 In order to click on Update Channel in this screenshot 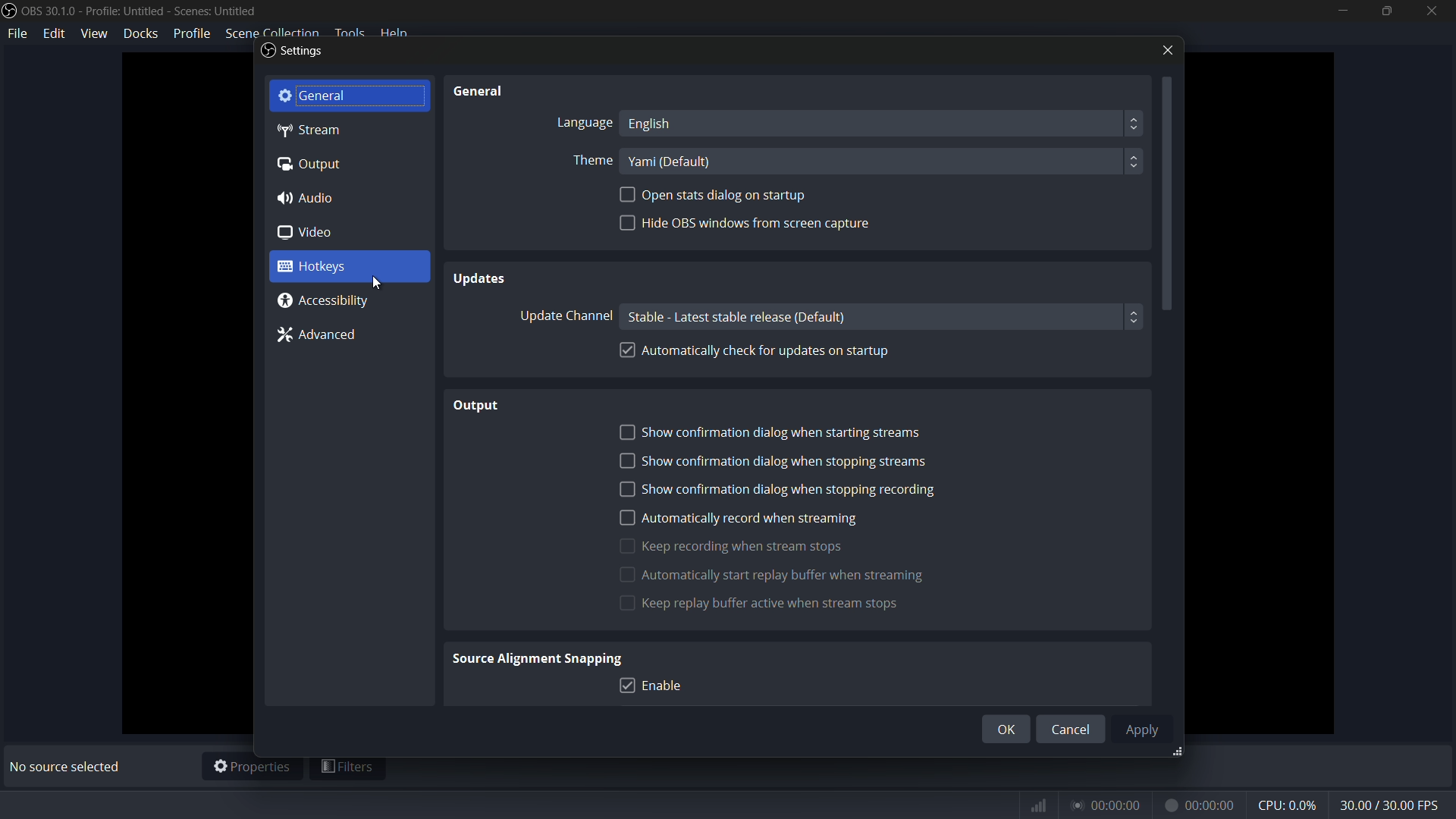, I will do `click(566, 316)`.